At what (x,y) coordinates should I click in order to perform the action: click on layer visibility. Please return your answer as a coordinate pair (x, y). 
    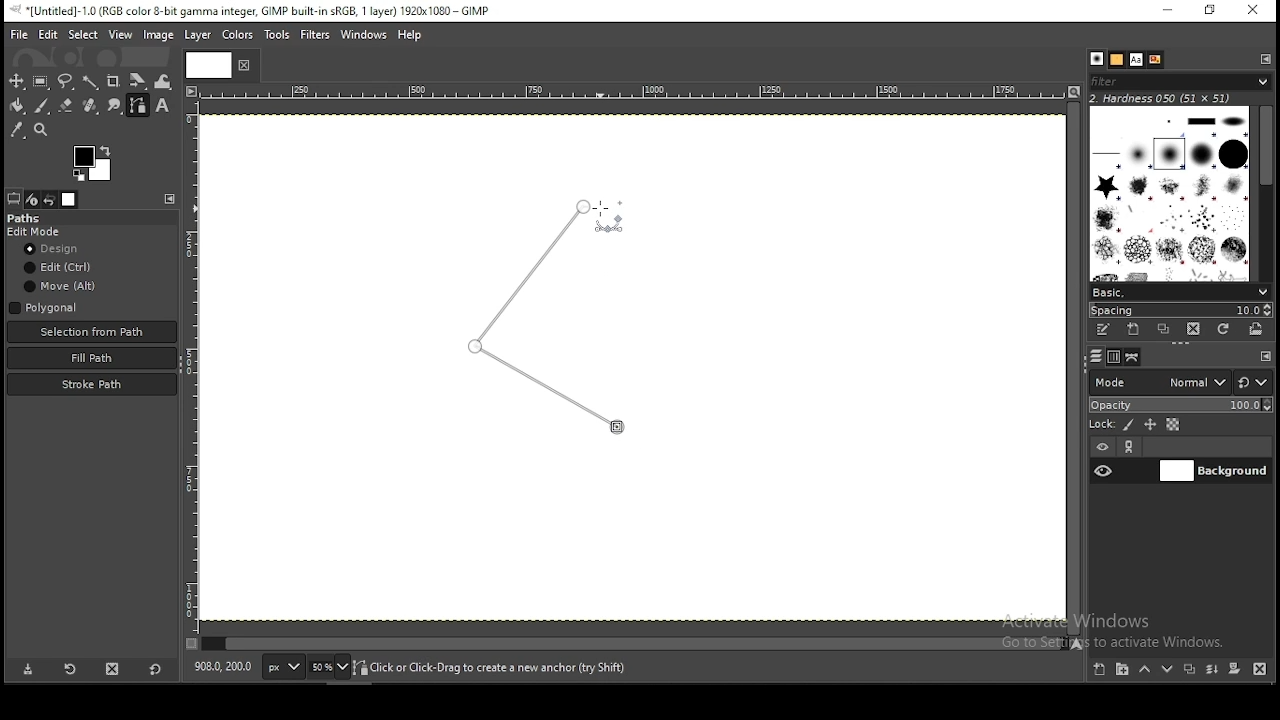
    Looking at the image, I should click on (1103, 446).